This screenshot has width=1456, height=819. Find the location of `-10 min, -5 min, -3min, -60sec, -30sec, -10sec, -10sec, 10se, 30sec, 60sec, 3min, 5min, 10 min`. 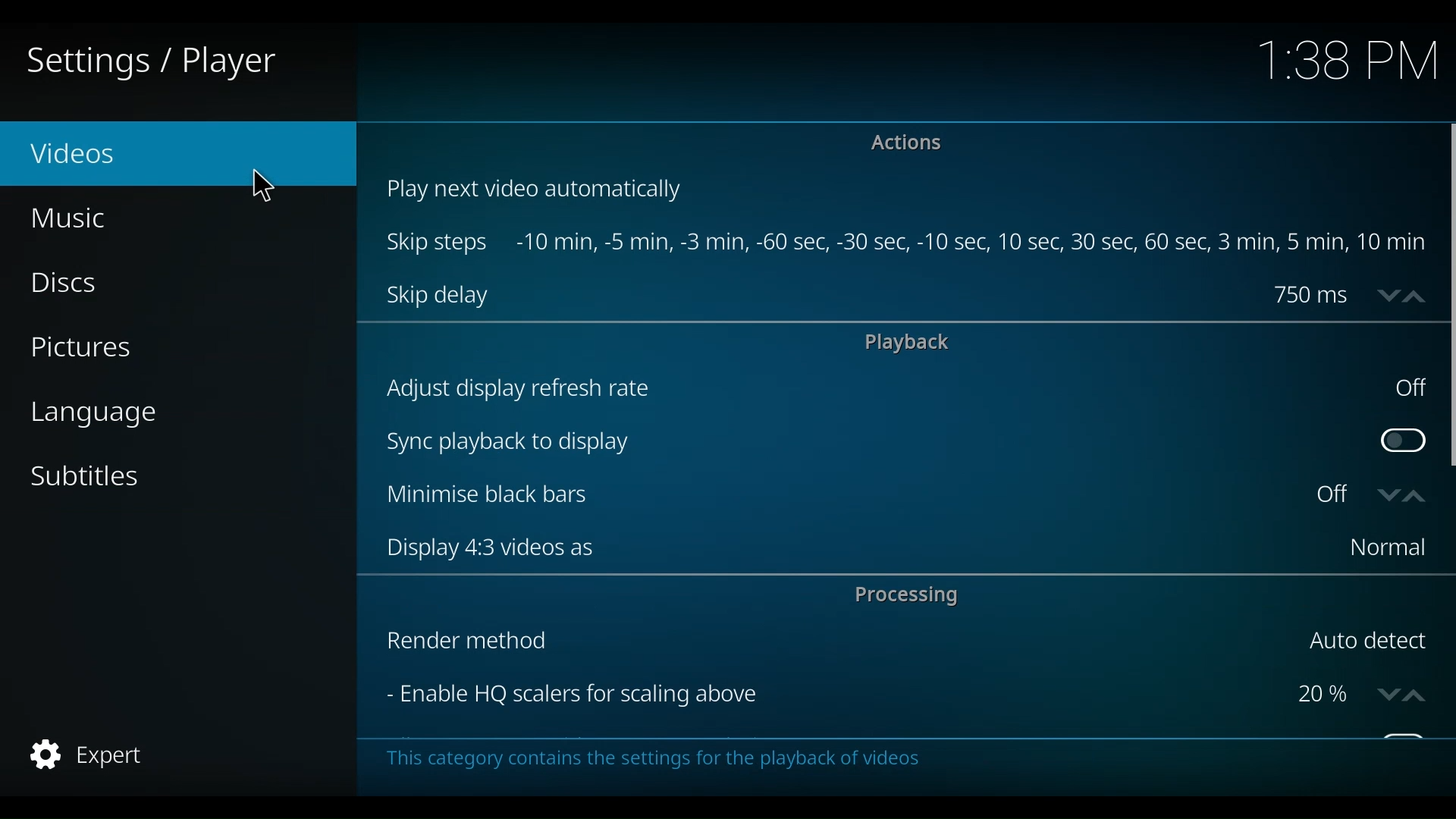

-10 min, -5 min, -3min, -60sec, -30sec, -10sec, -10sec, 10se, 30sec, 60sec, 3min, 5min, 10 min is located at coordinates (971, 243).